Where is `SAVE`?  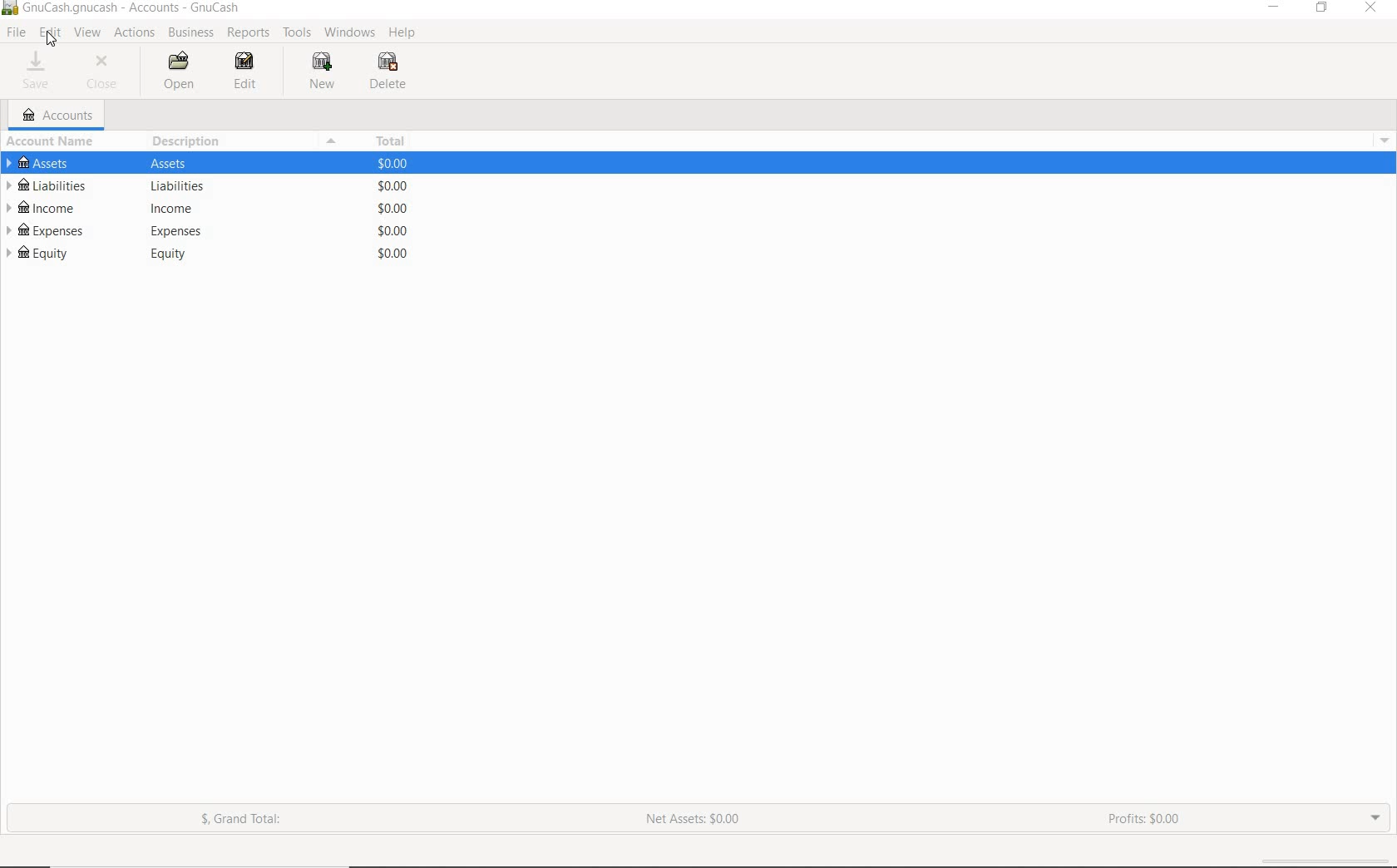 SAVE is located at coordinates (37, 72).